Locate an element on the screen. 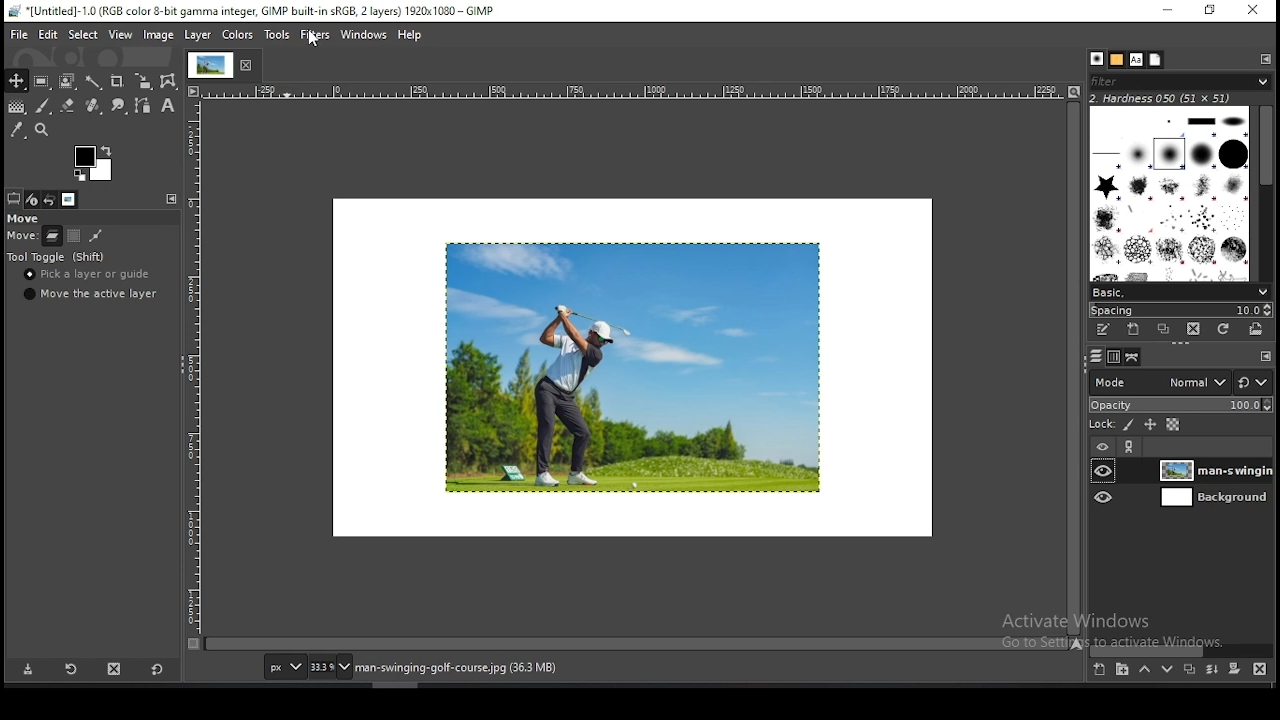 The height and width of the screenshot is (720, 1280). scroll bar is located at coordinates (1182, 649).